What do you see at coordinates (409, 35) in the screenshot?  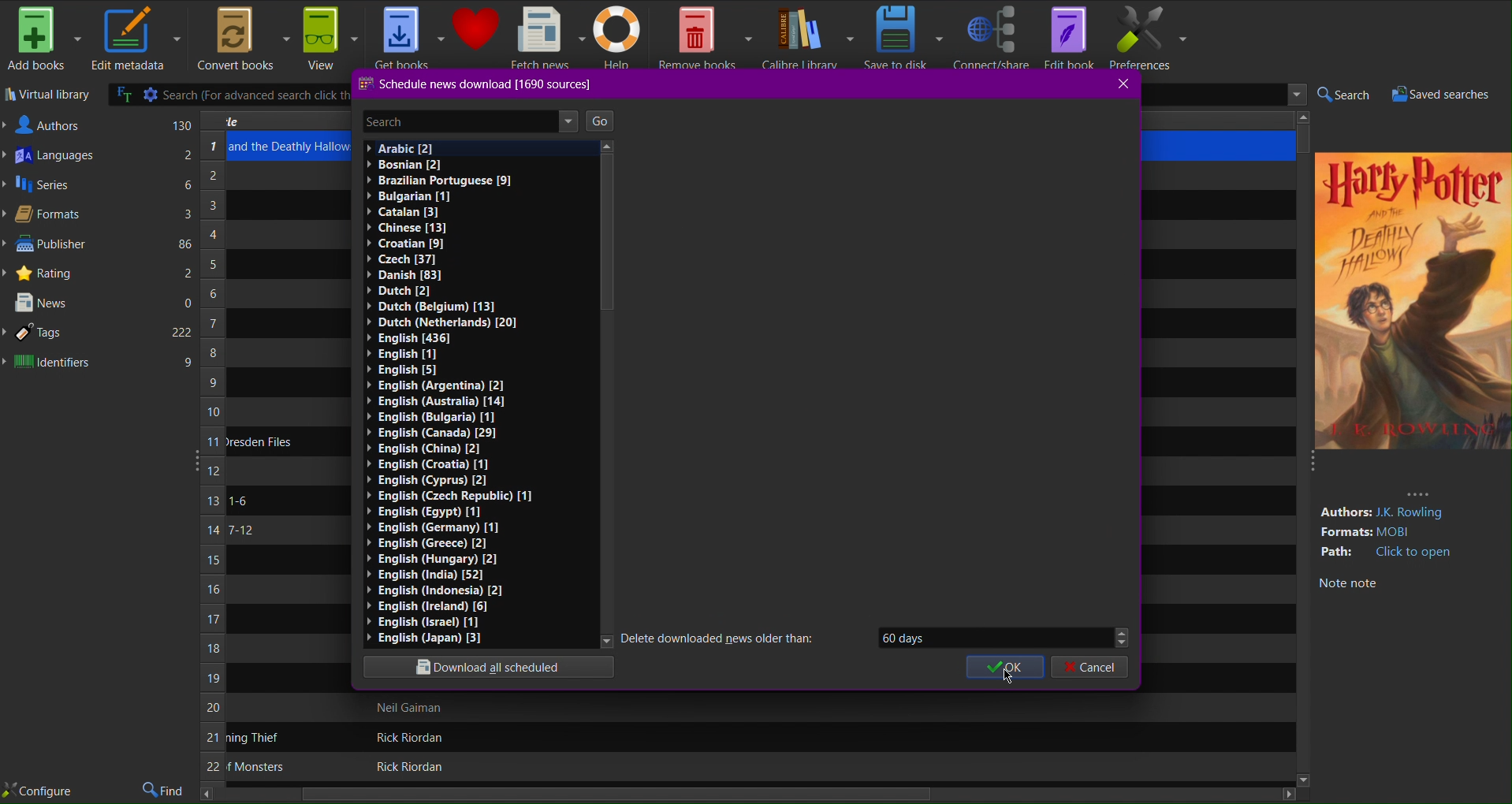 I see `Get books` at bounding box center [409, 35].